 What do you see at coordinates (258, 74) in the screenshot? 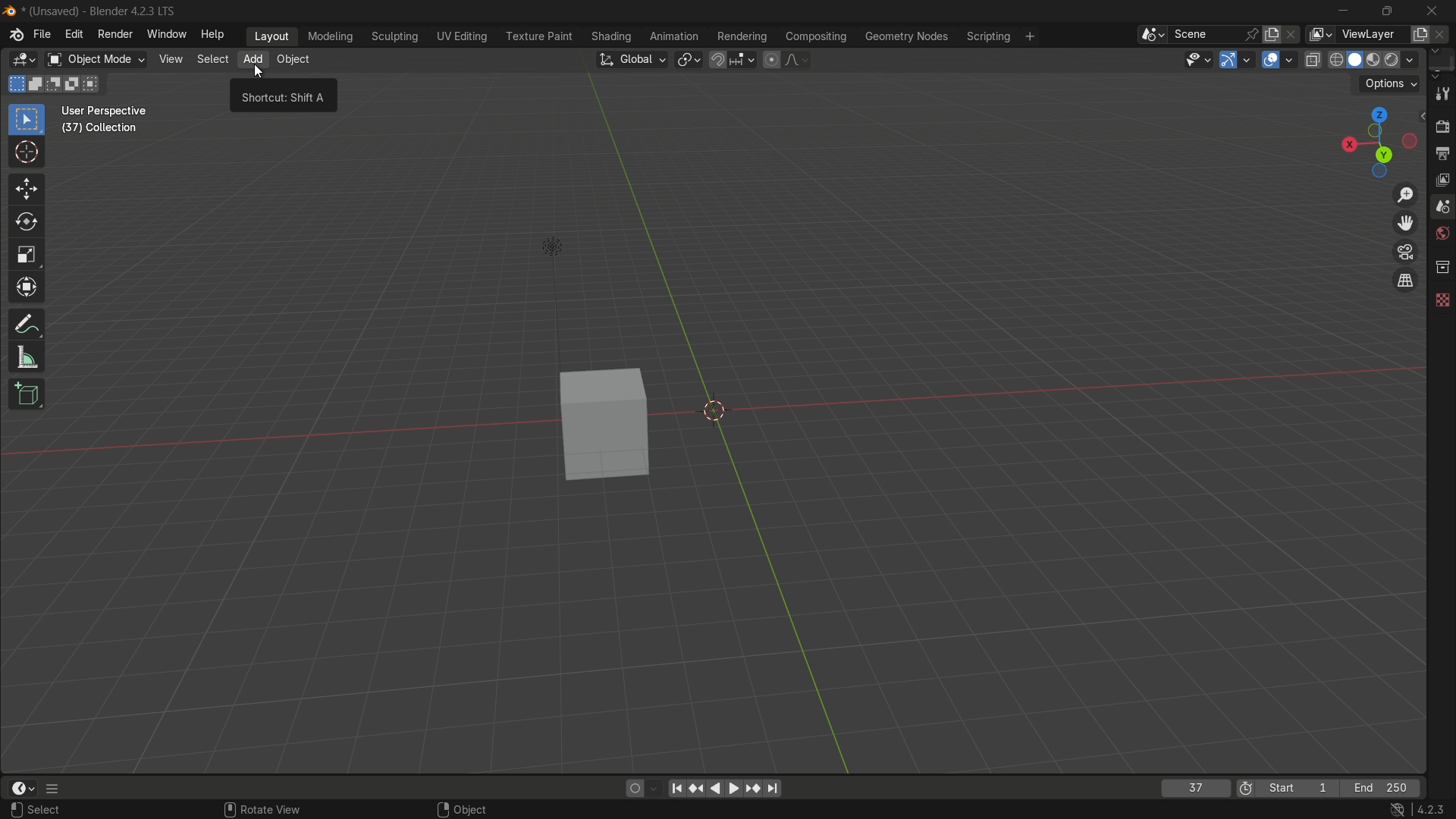
I see `cursor` at bounding box center [258, 74].